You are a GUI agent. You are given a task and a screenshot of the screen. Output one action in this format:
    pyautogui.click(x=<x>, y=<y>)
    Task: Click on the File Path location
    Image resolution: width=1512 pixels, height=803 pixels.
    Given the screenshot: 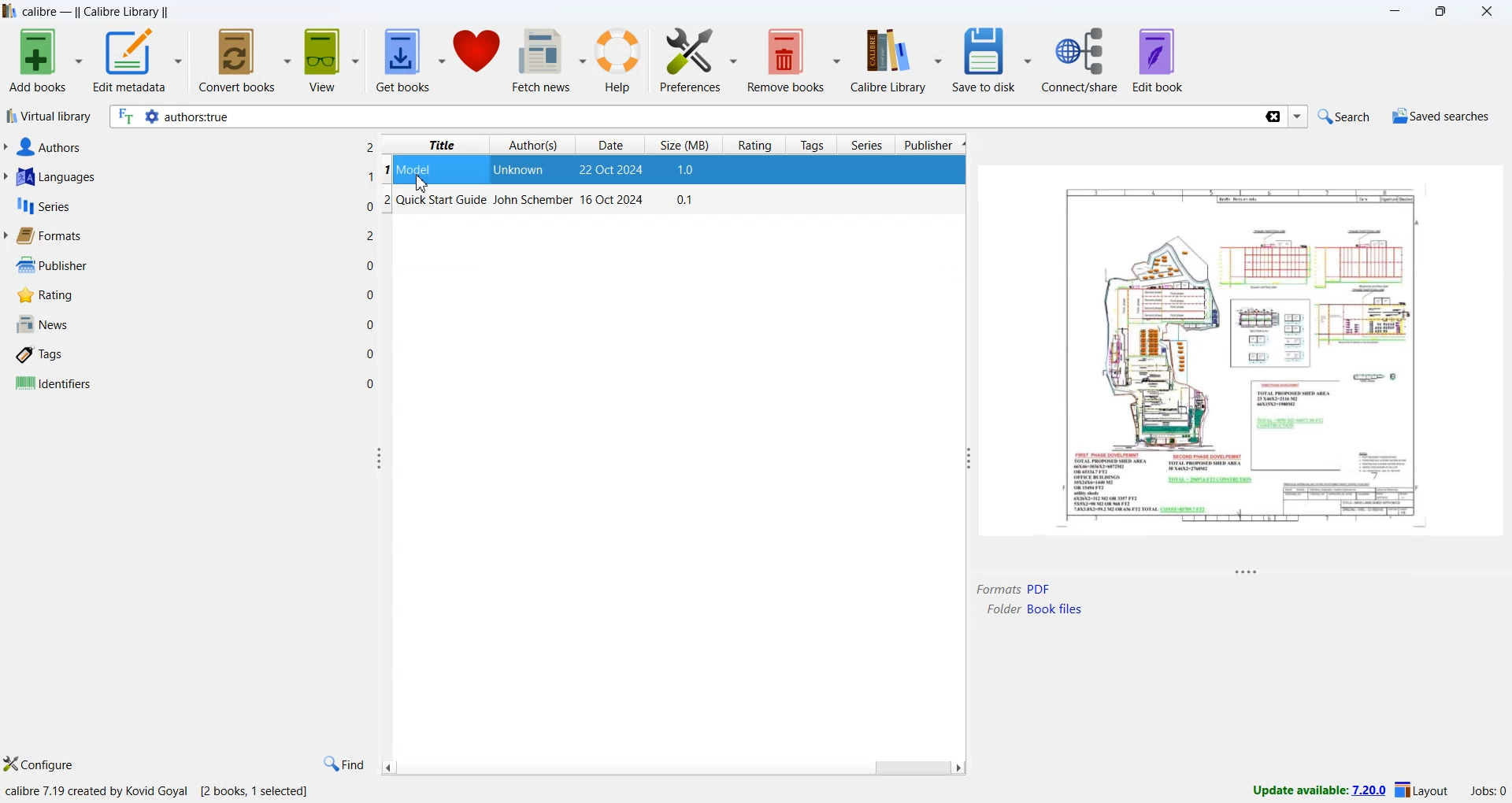 What is the action you would take?
    pyautogui.click(x=1034, y=609)
    